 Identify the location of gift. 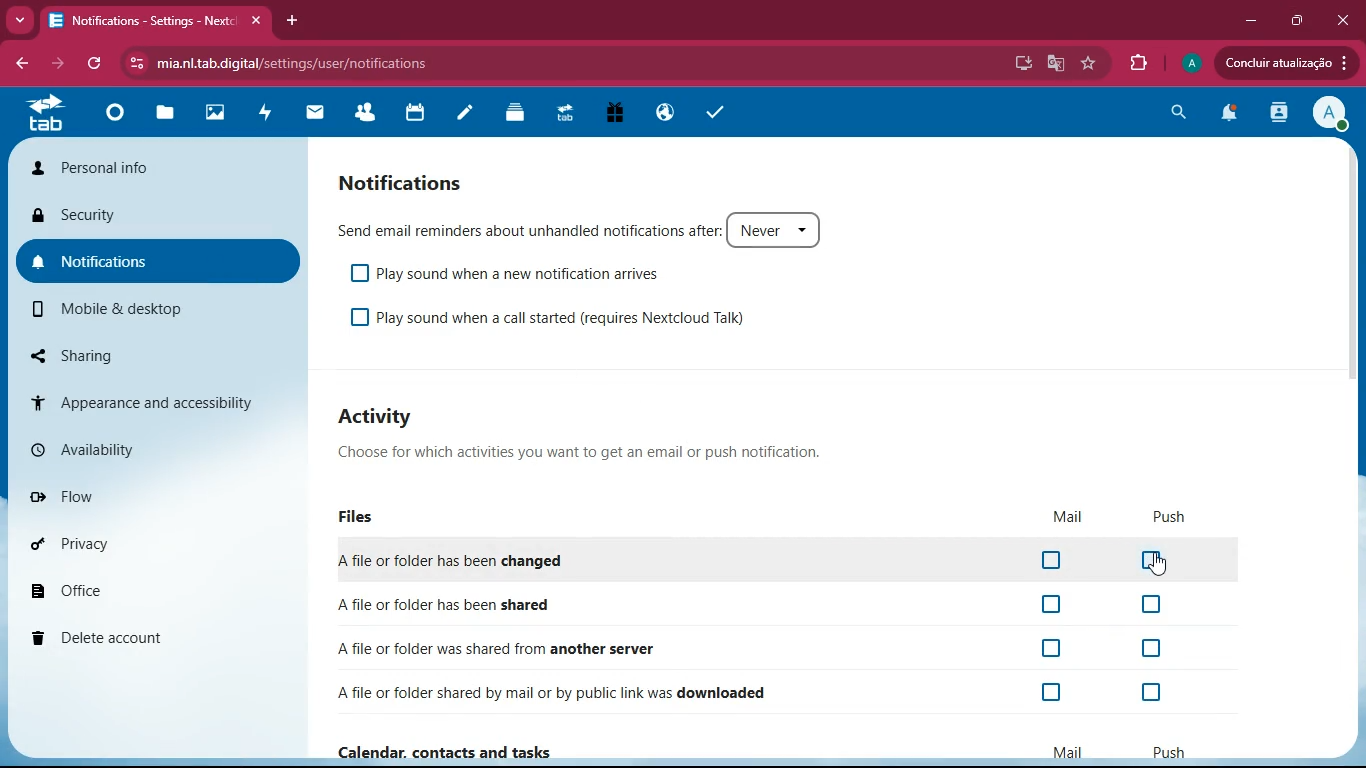
(616, 114).